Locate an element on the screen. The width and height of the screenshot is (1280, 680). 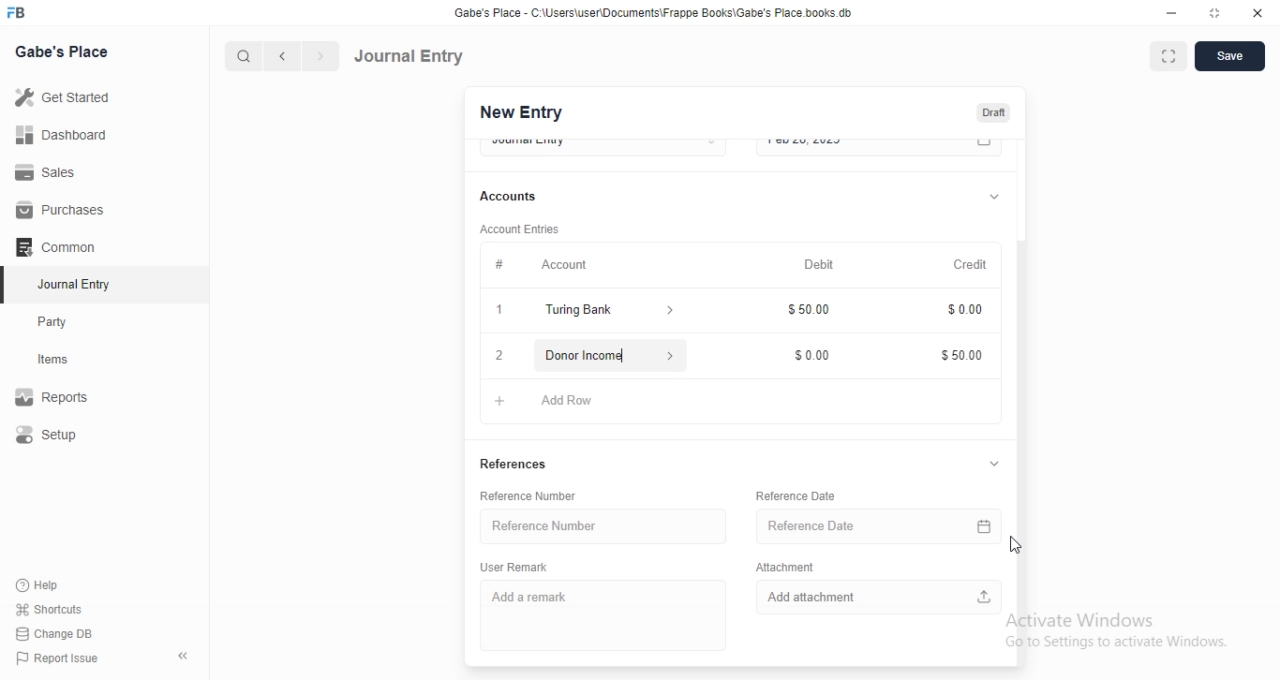
$50.00 is located at coordinates (813, 312).